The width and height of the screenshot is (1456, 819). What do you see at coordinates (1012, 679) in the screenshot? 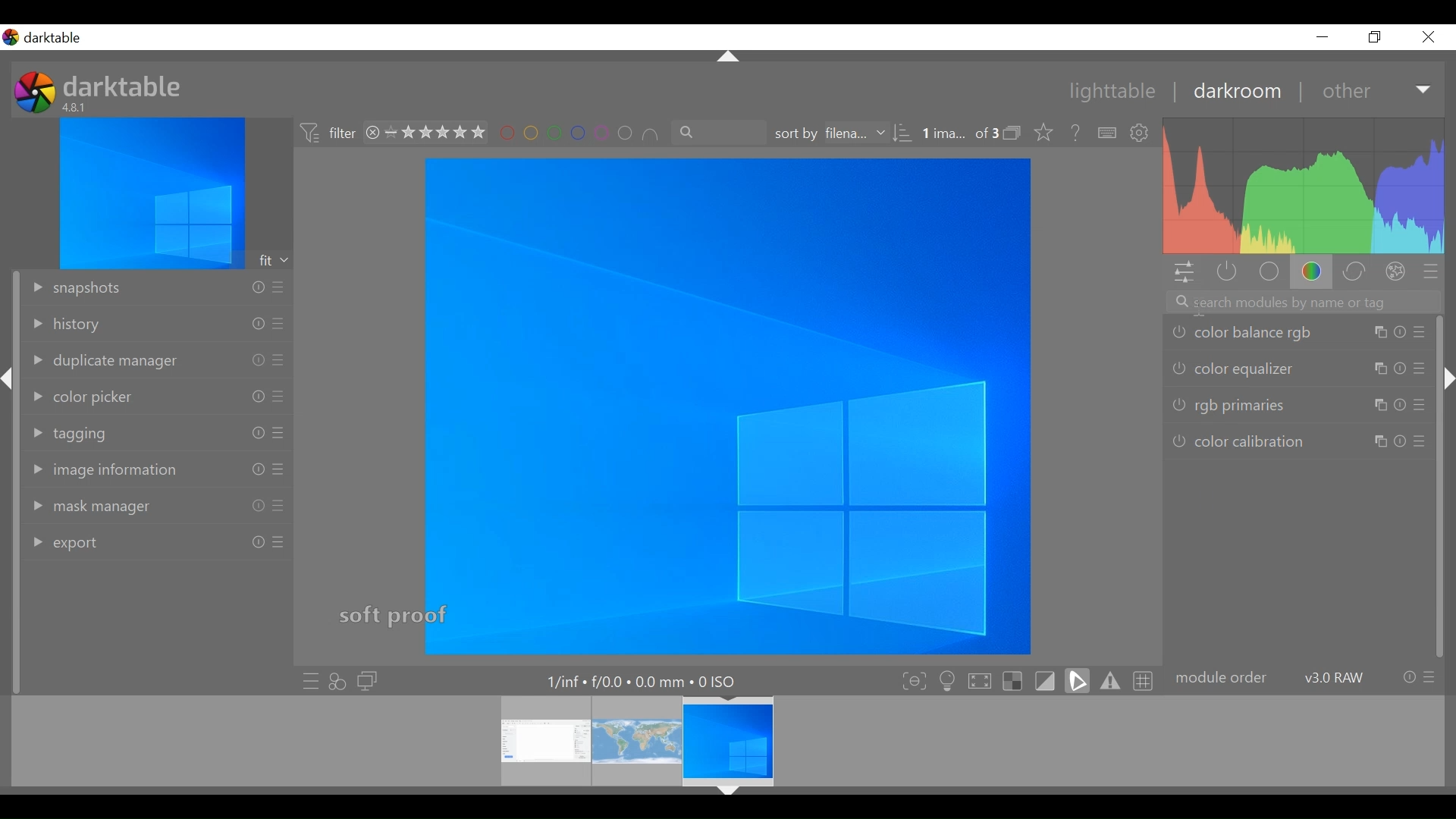
I see `toggle indication of raw overexposure` at bounding box center [1012, 679].